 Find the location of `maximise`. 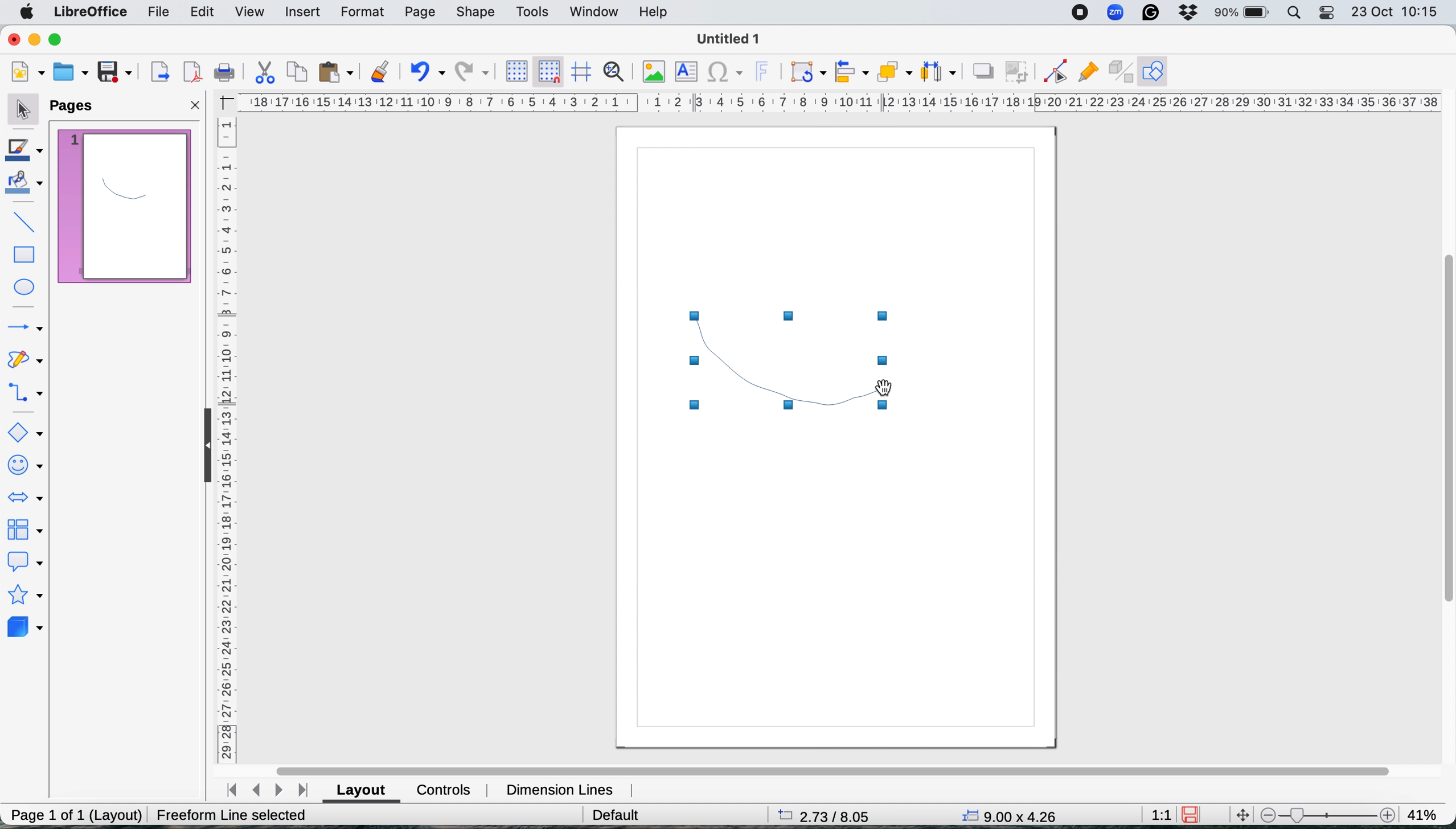

maximise is located at coordinates (56, 39).